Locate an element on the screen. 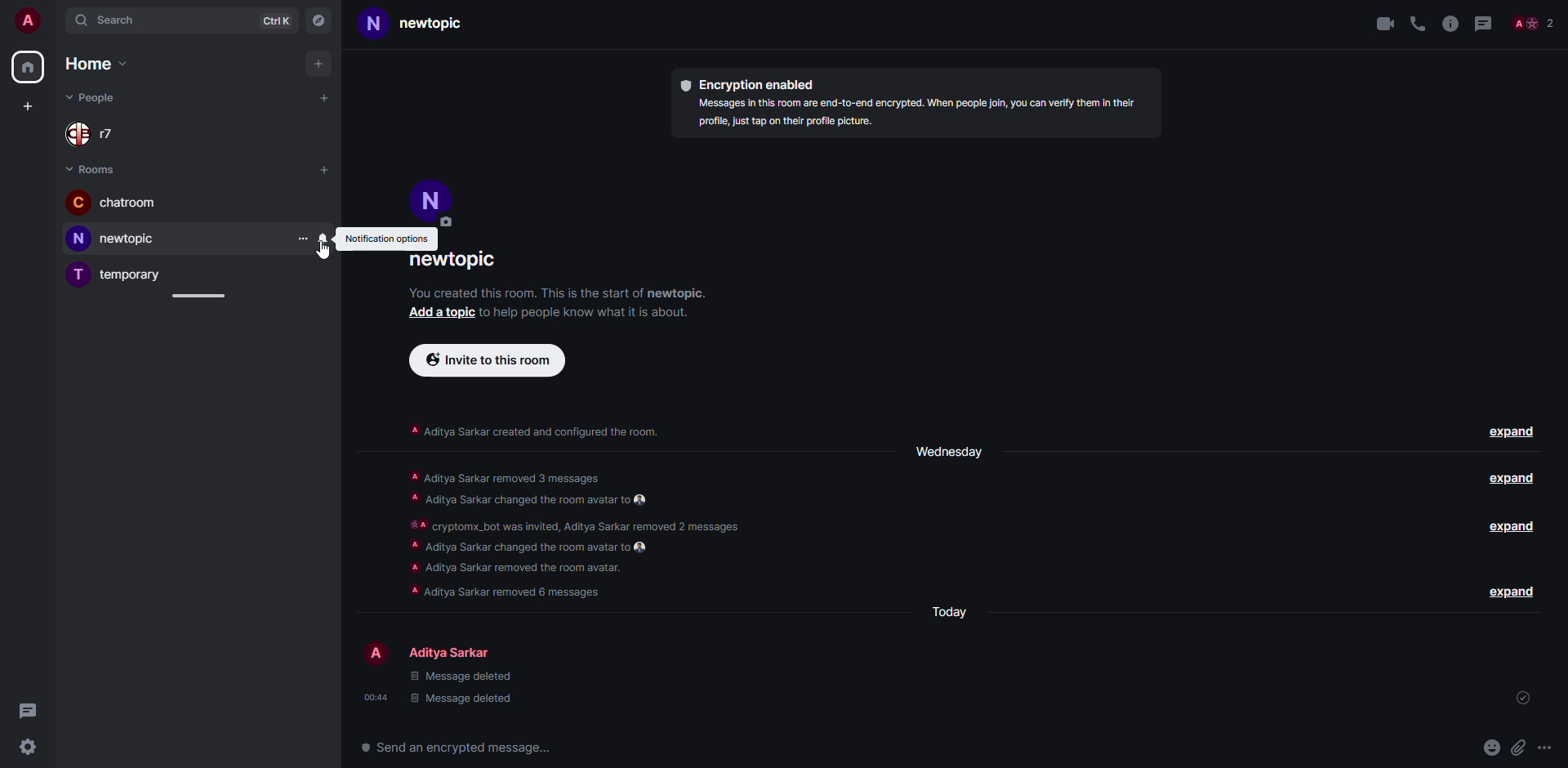 Image resolution: width=1568 pixels, height=768 pixels. voice is located at coordinates (1416, 23).